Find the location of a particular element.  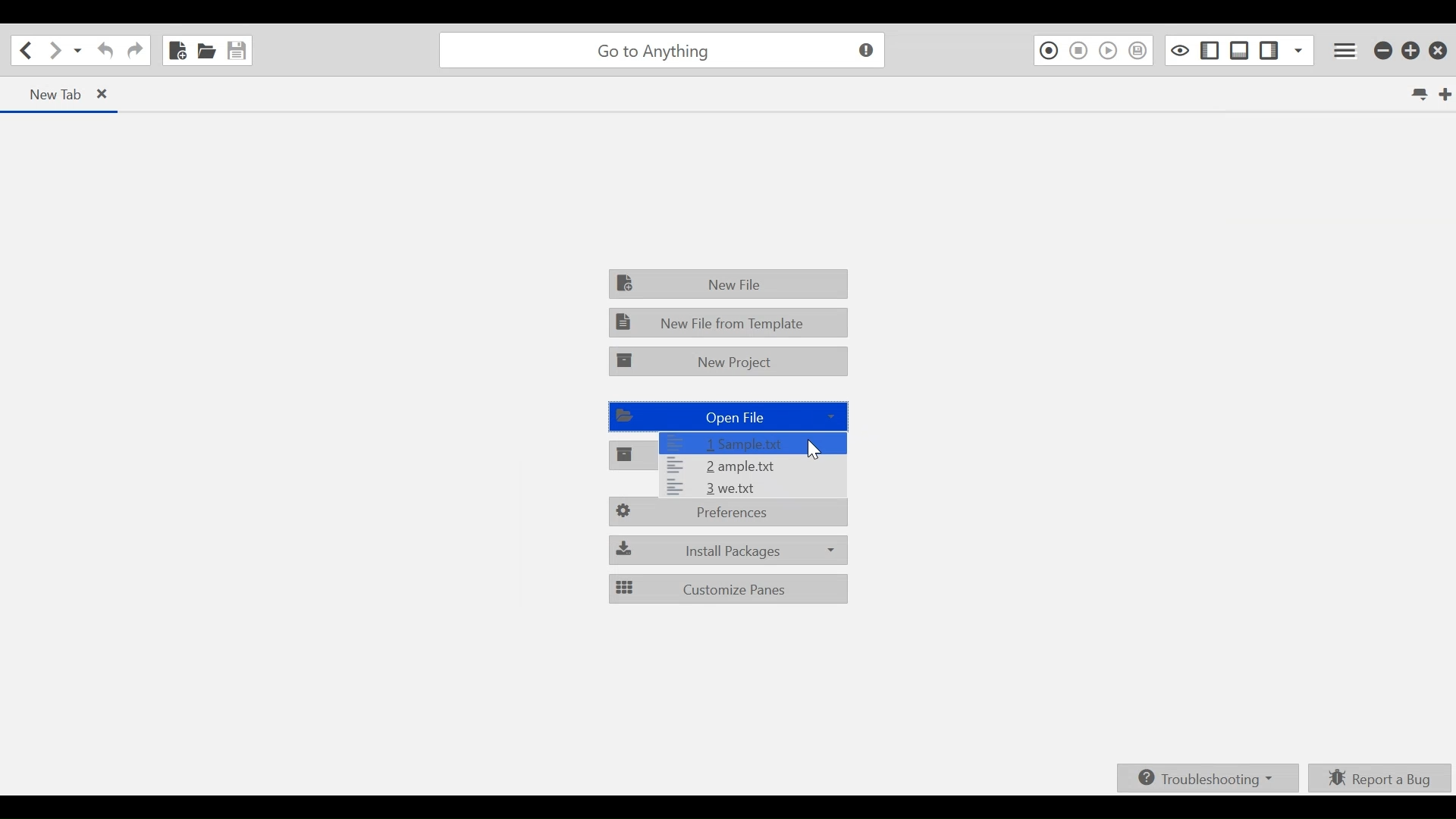

Record Macro is located at coordinates (1048, 50).